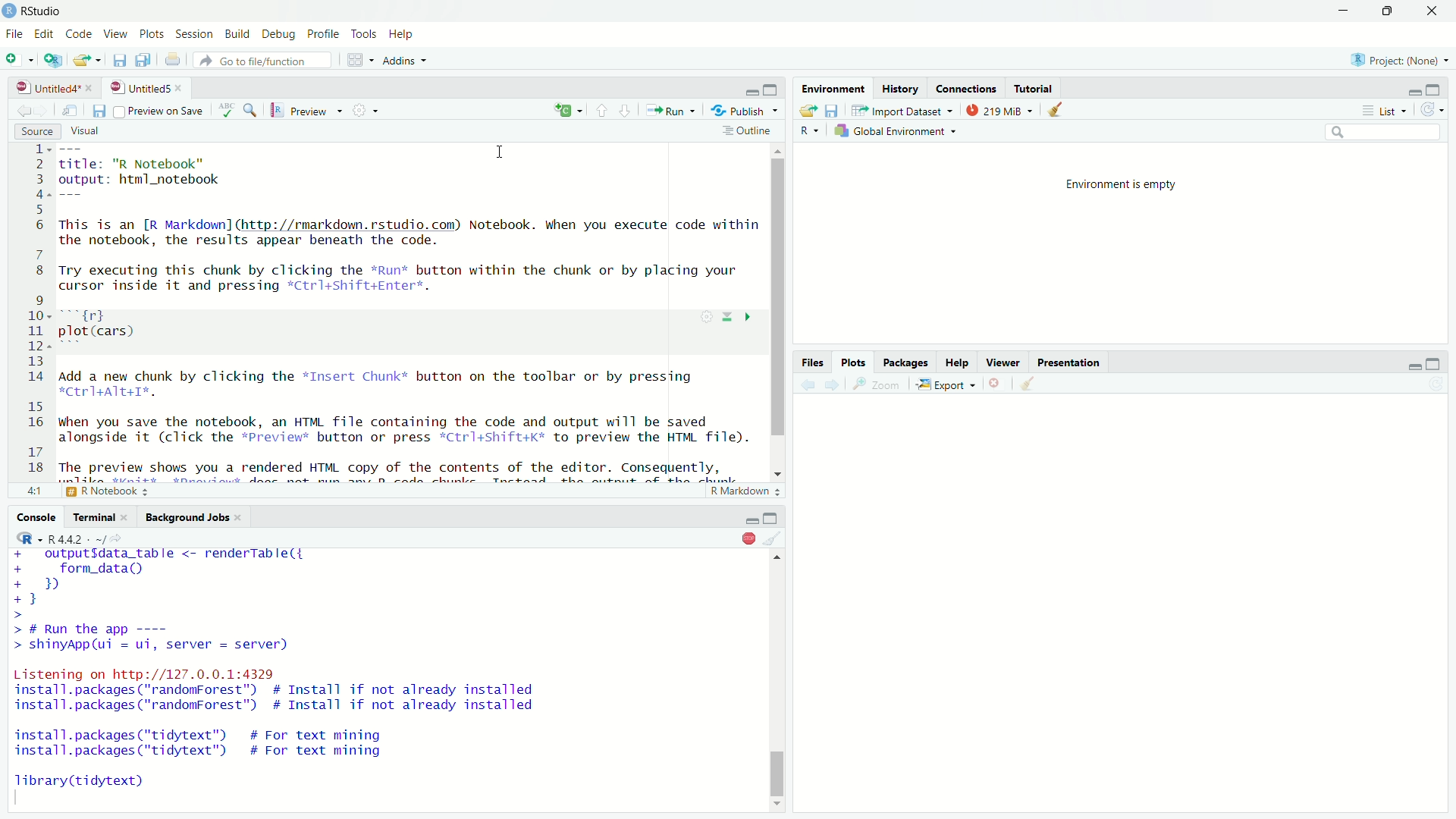 This screenshot has height=819, width=1456. Describe the element at coordinates (1057, 111) in the screenshot. I see `clear objects from workspace` at that location.